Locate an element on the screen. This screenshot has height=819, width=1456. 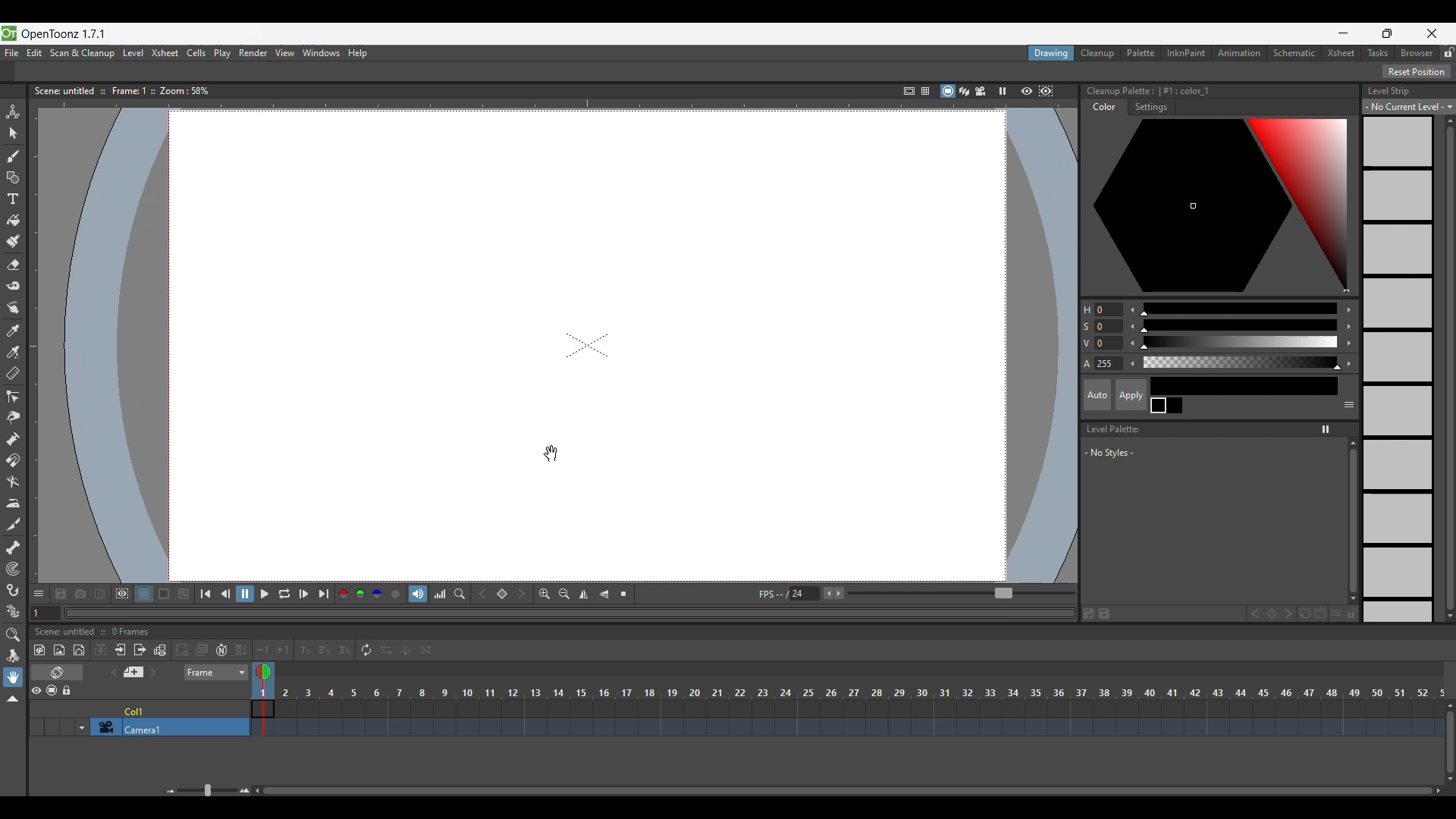
Freeze is located at coordinates (1326, 429).